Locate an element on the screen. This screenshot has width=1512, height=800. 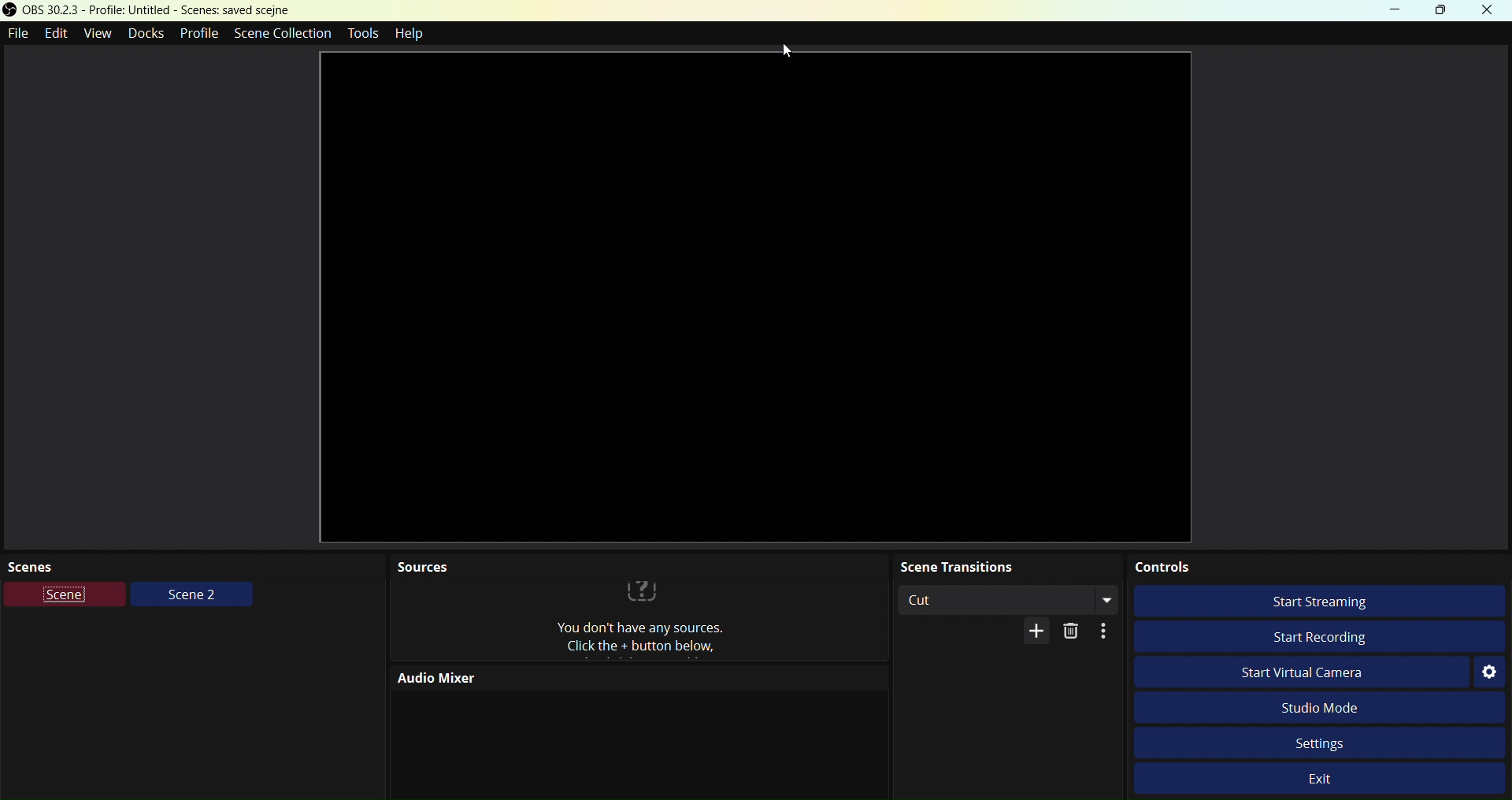
Audio Mixer is located at coordinates (511, 677).